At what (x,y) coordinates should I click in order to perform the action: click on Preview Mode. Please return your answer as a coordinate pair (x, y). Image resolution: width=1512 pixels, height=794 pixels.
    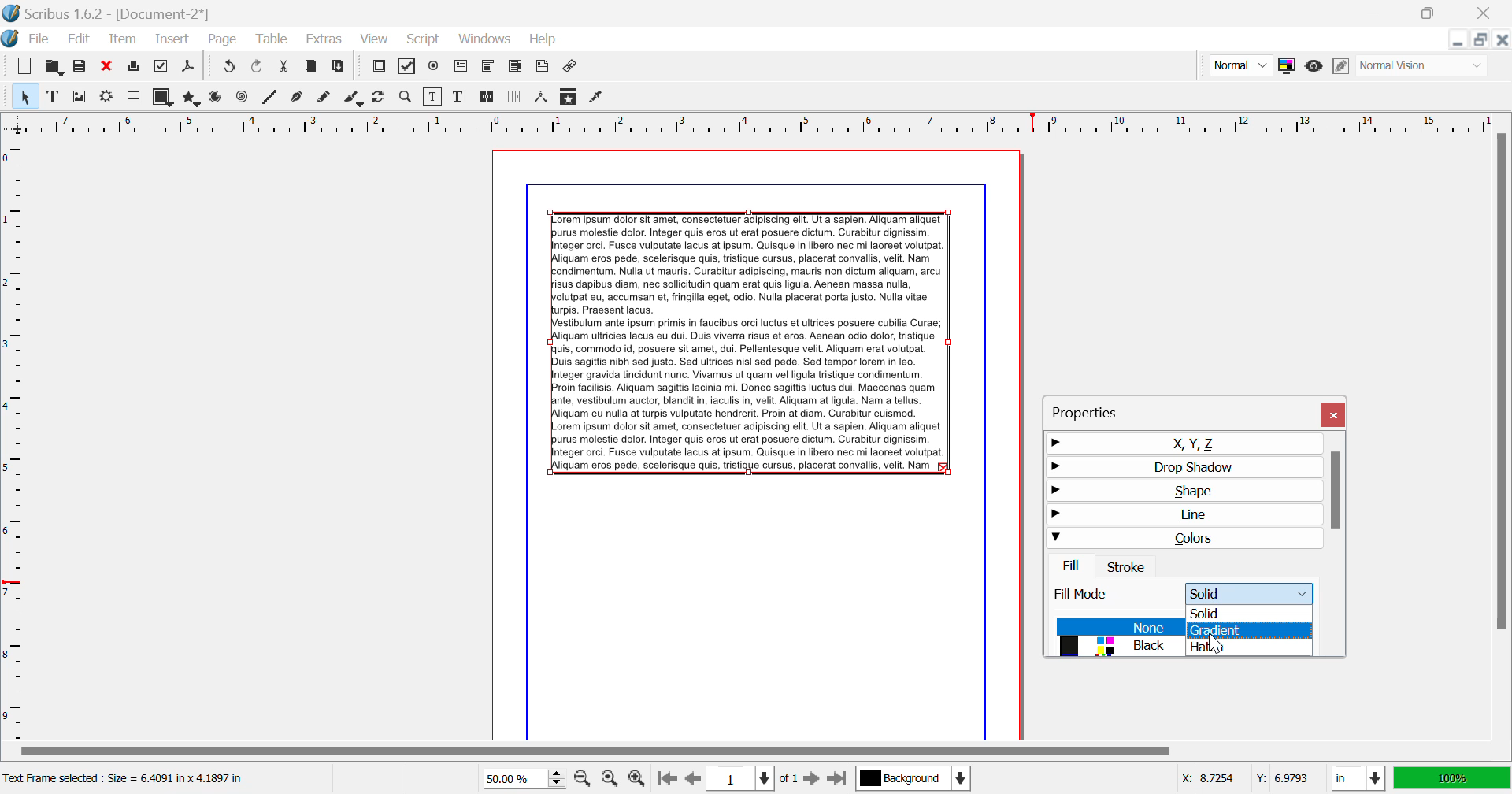
    Looking at the image, I should click on (1240, 65).